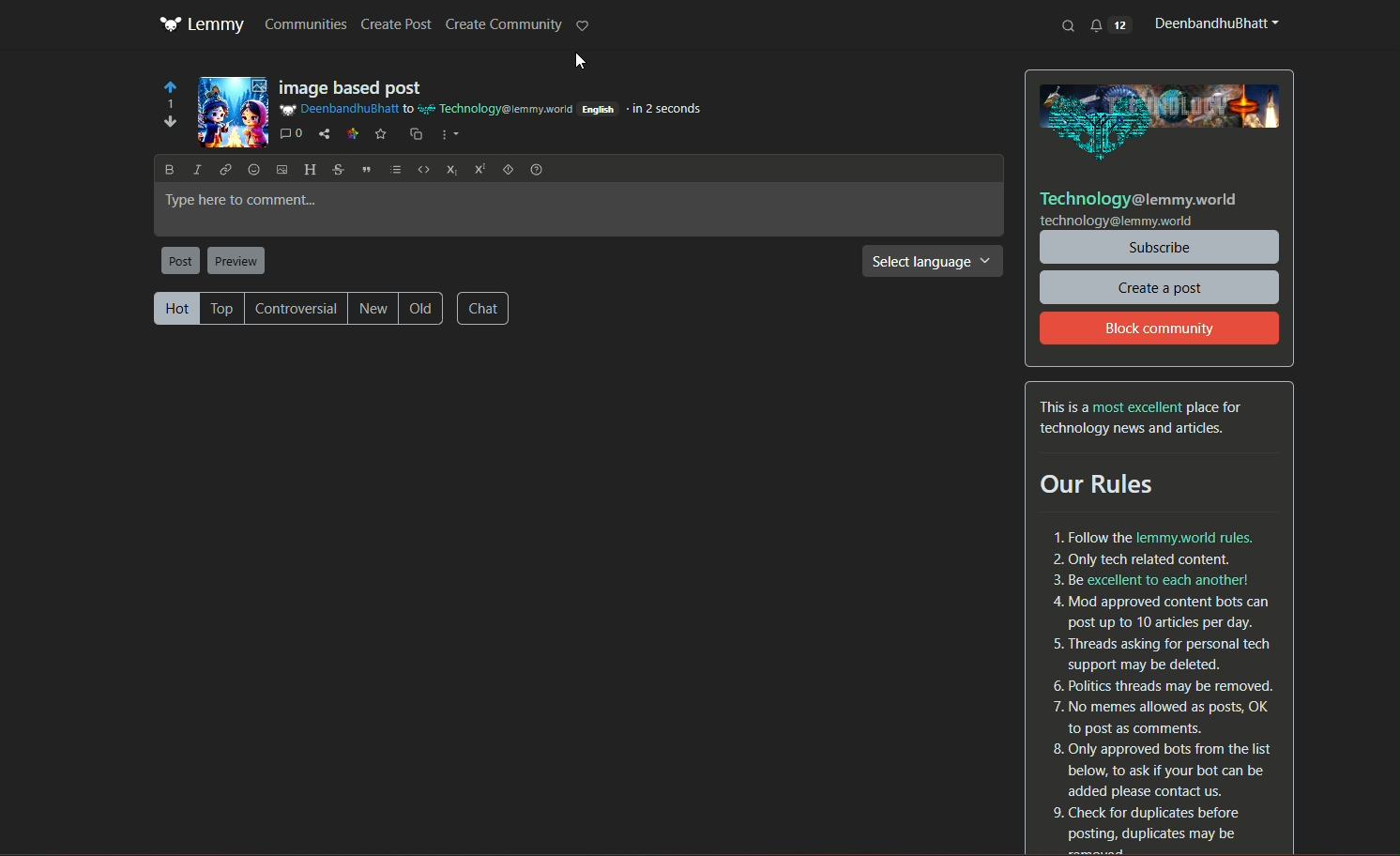 This screenshot has width=1400, height=856. Describe the element at coordinates (1110, 24) in the screenshot. I see `notification` at that location.